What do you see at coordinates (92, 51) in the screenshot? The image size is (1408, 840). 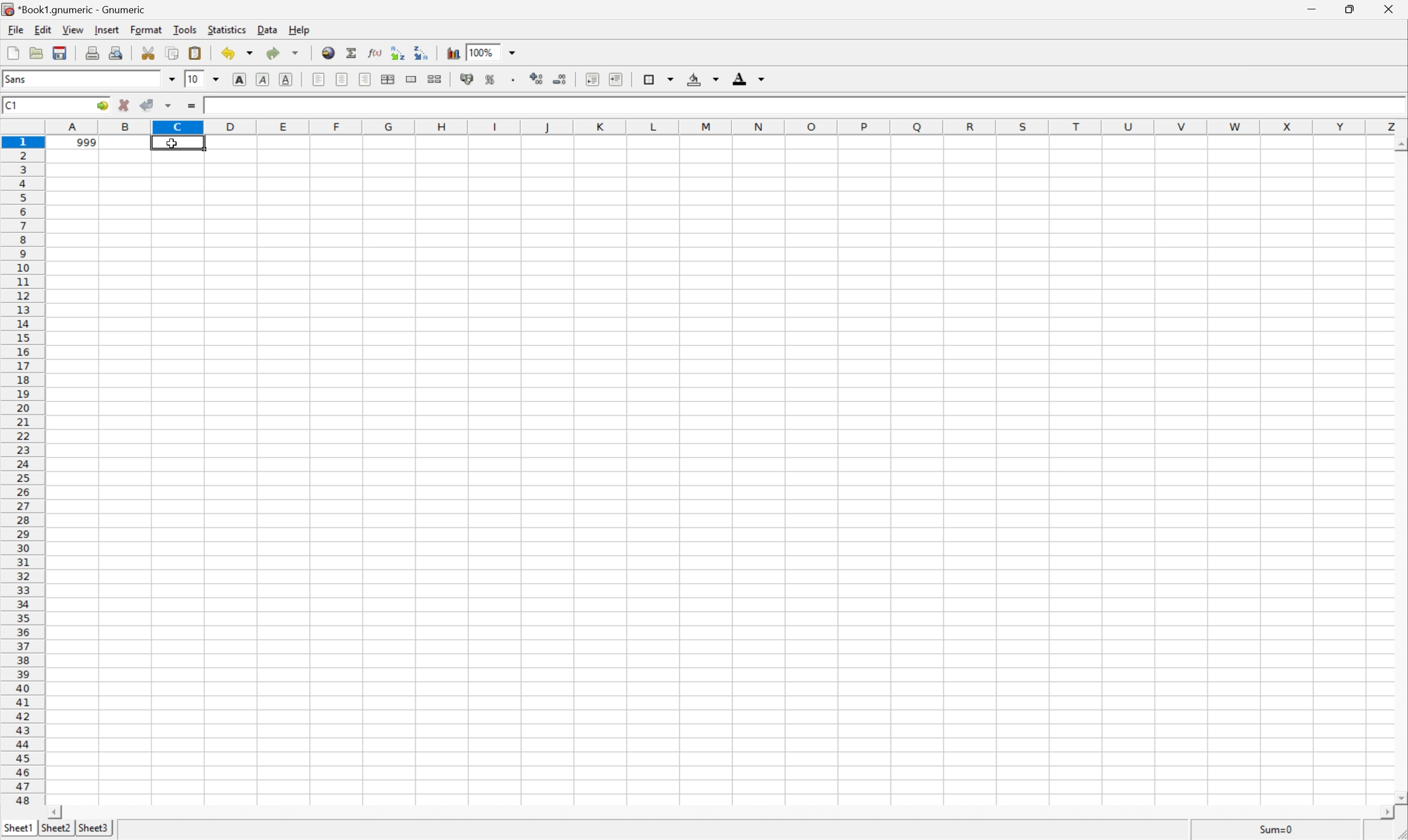 I see `print current file` at bounding box center [92, 51].